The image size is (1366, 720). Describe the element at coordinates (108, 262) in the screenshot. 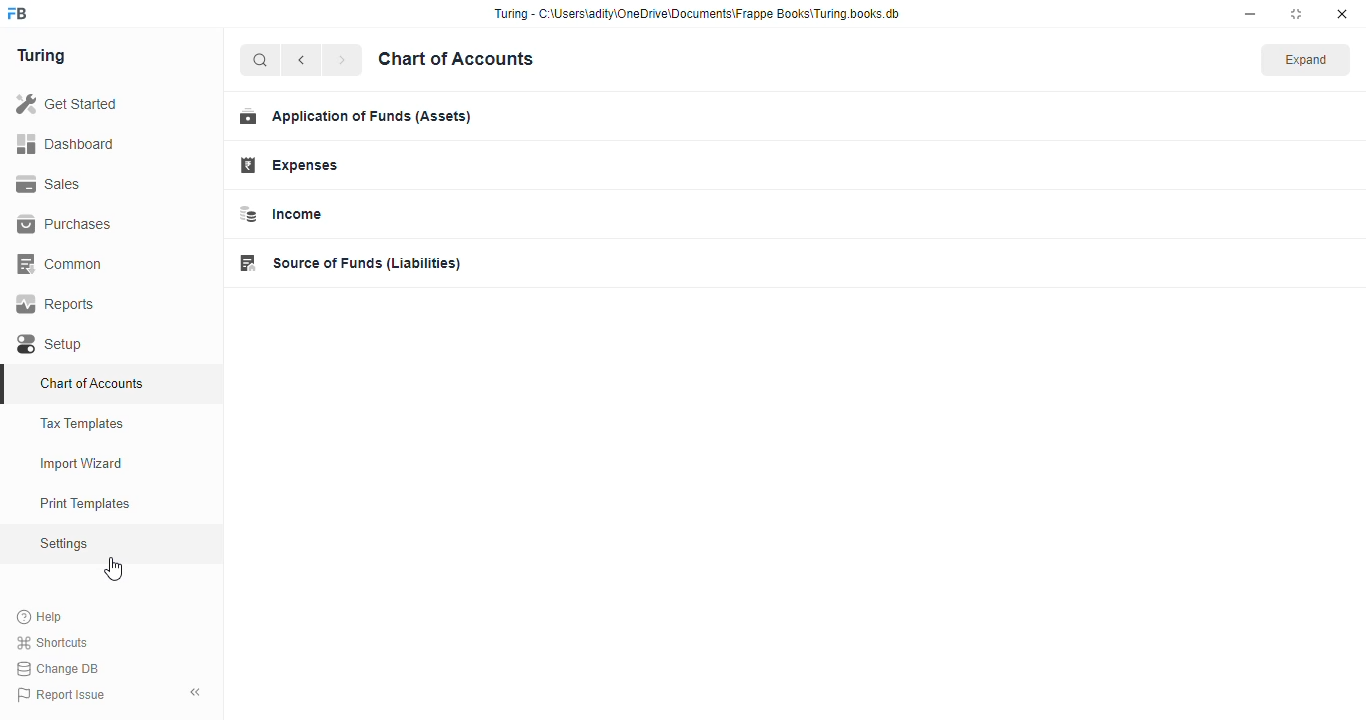

I see `Common` at that location.